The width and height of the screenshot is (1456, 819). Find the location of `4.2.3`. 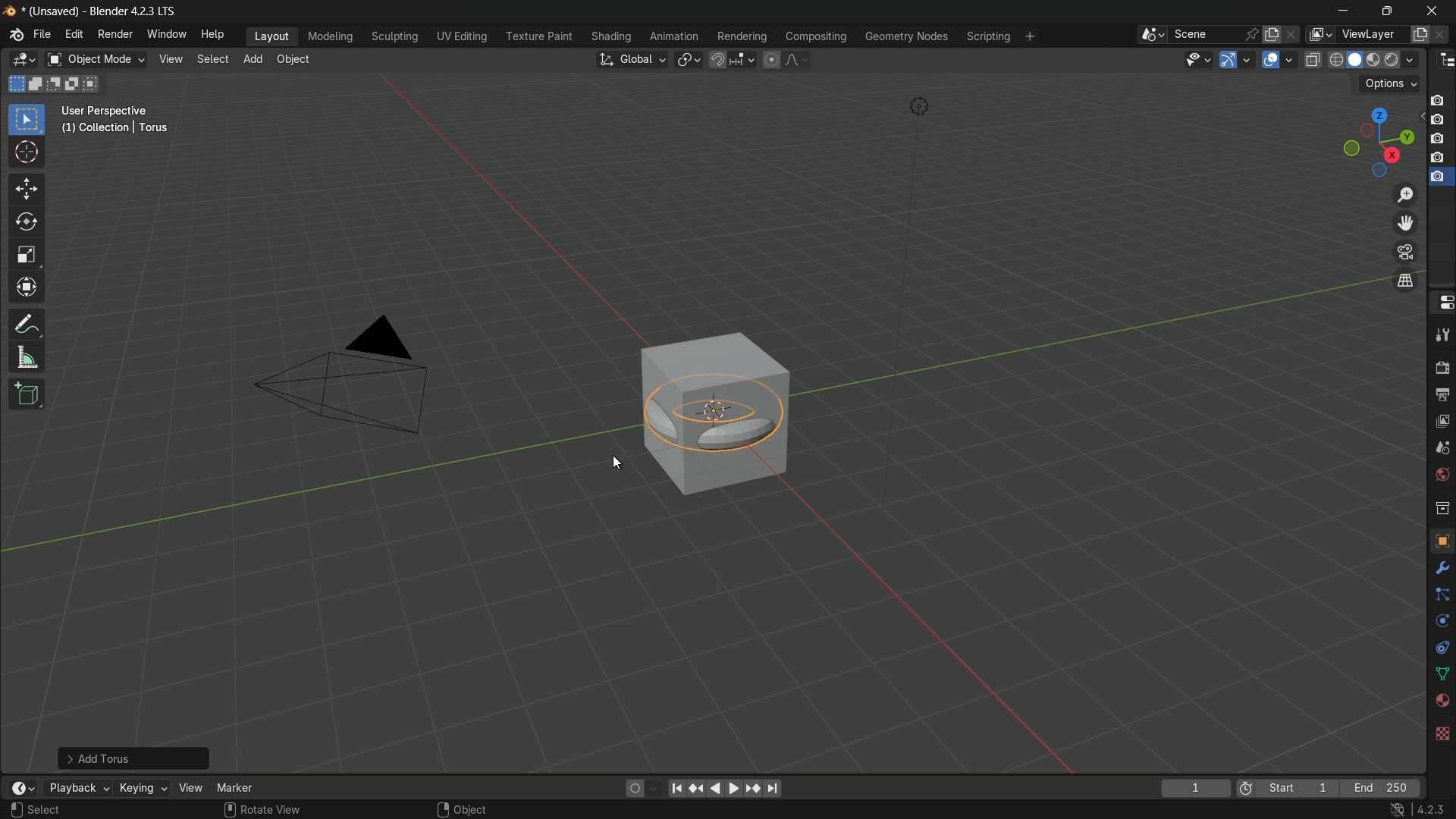

4.2.3 is located at coordinates (1431, 810).